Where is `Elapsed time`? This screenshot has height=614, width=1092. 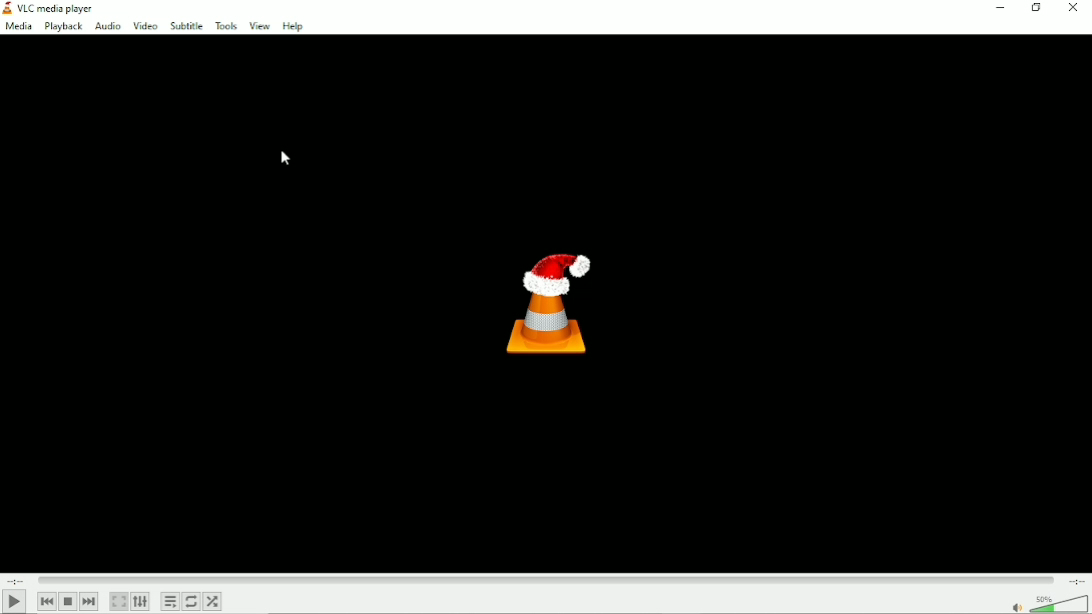 Elapsed time is located at coordinates (17, 580).